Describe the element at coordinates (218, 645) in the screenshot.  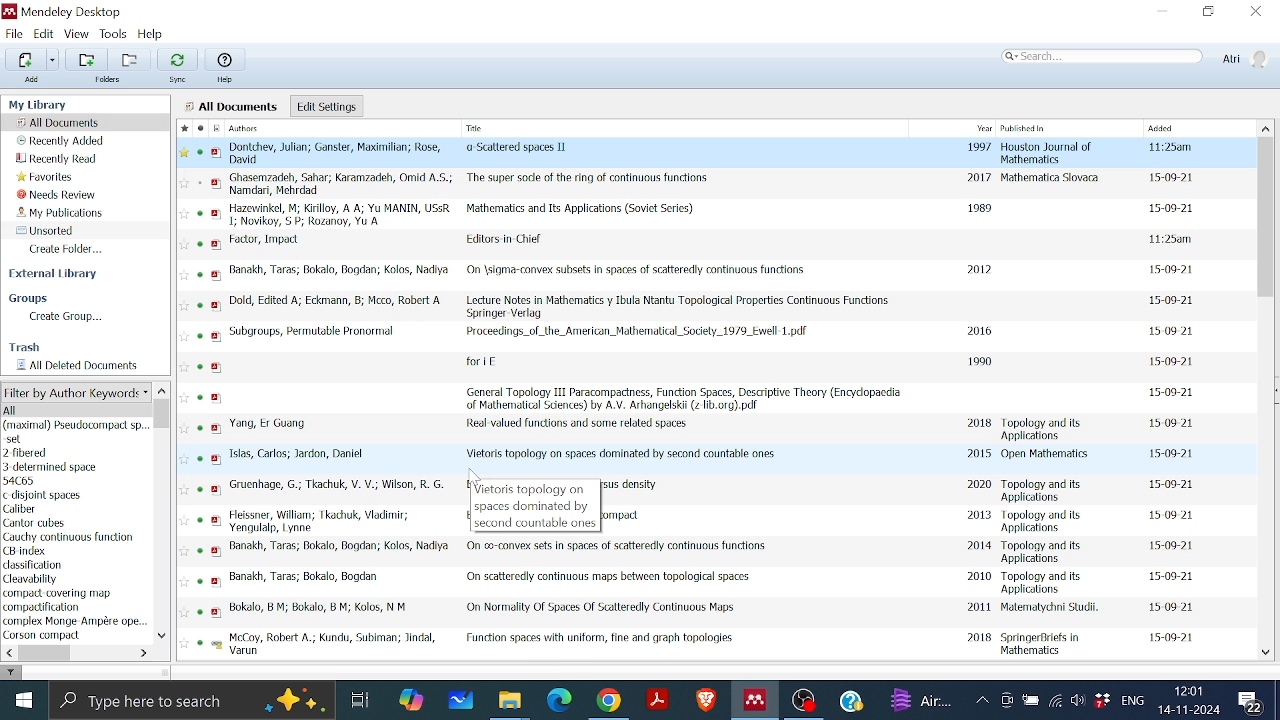
I see `pdf` at that location.